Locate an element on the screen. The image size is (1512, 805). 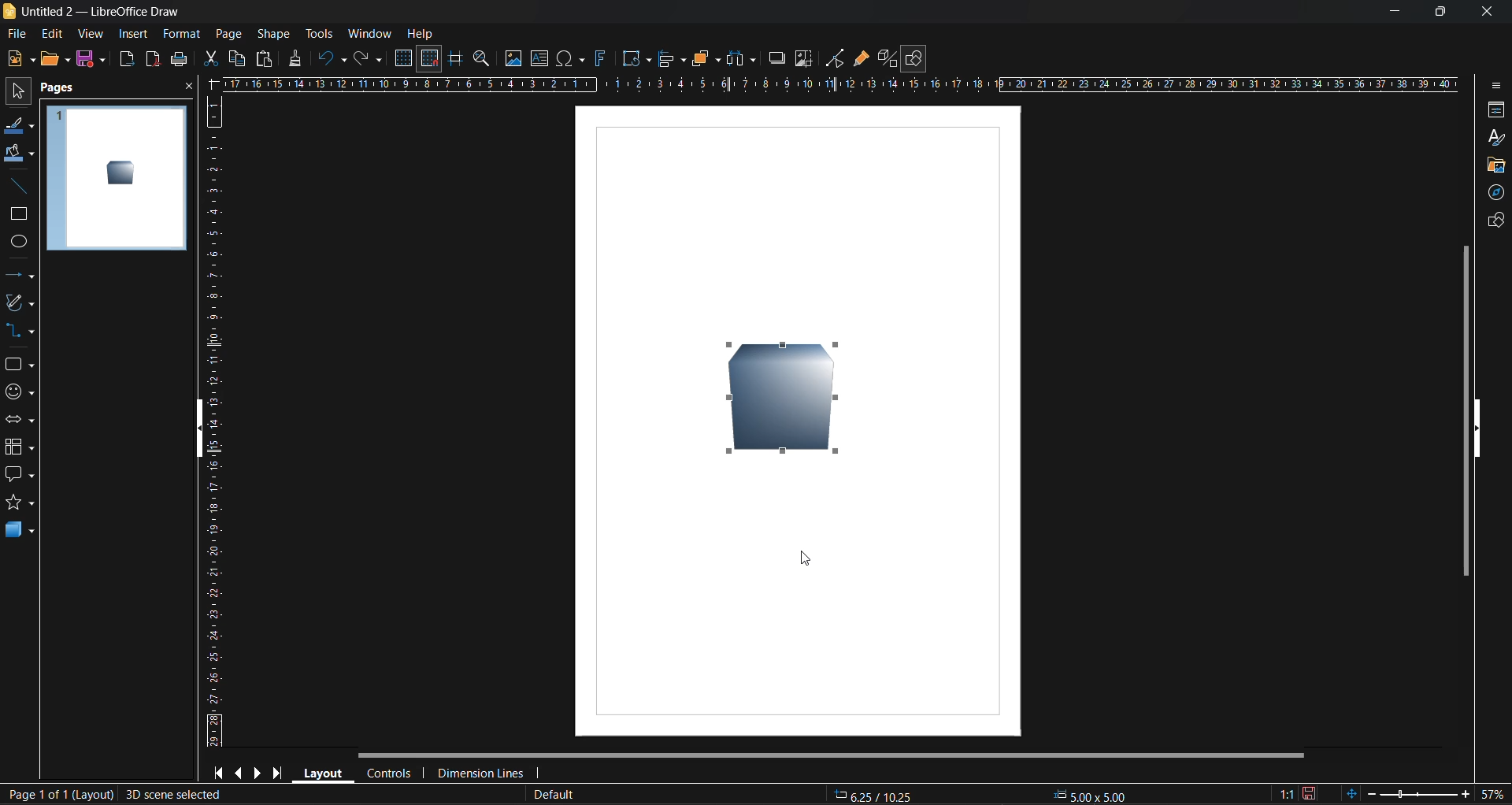
fit to window is located at coordinates (1354, 793).